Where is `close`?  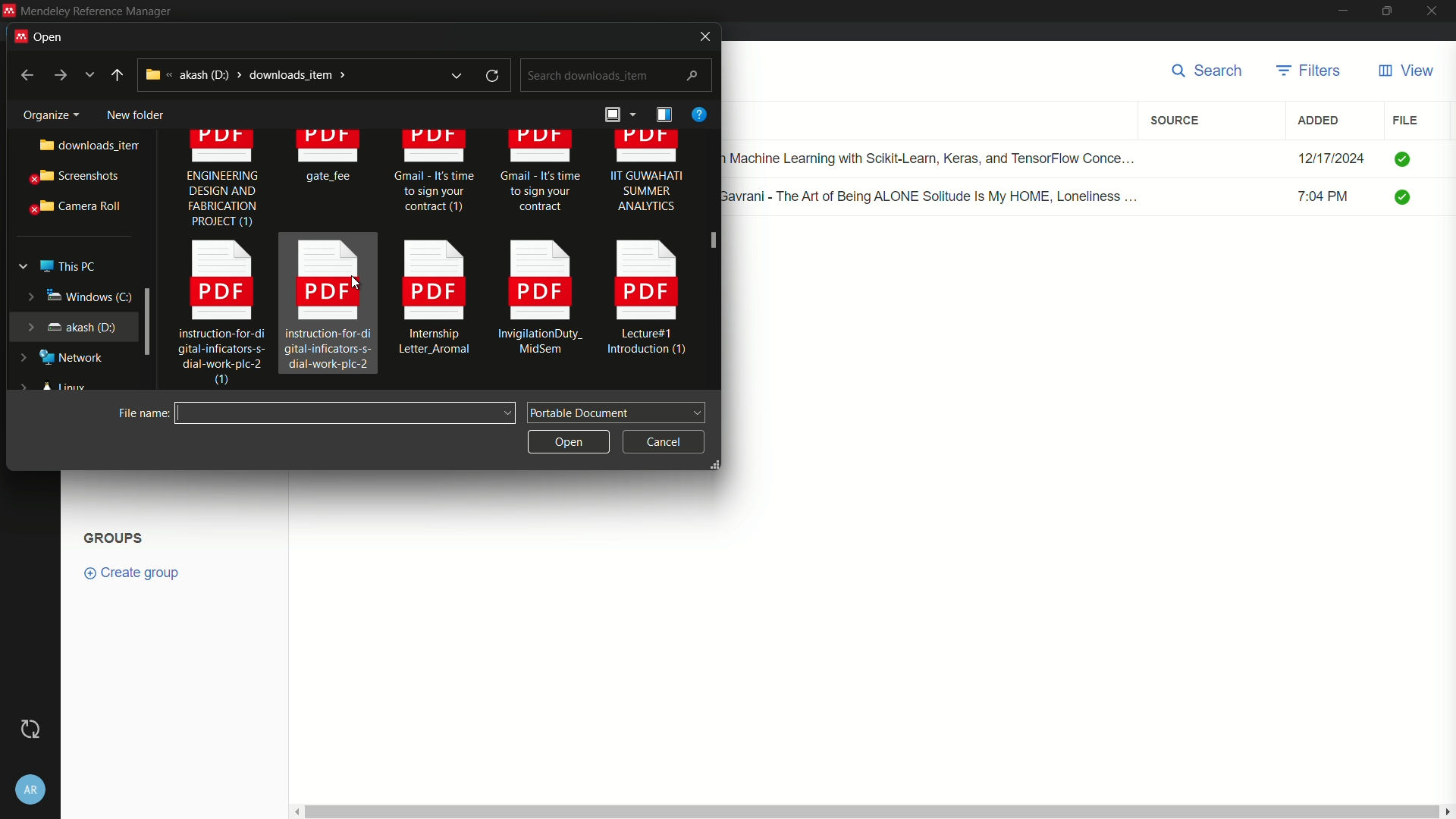 close is located at coordinates (1436, 11).